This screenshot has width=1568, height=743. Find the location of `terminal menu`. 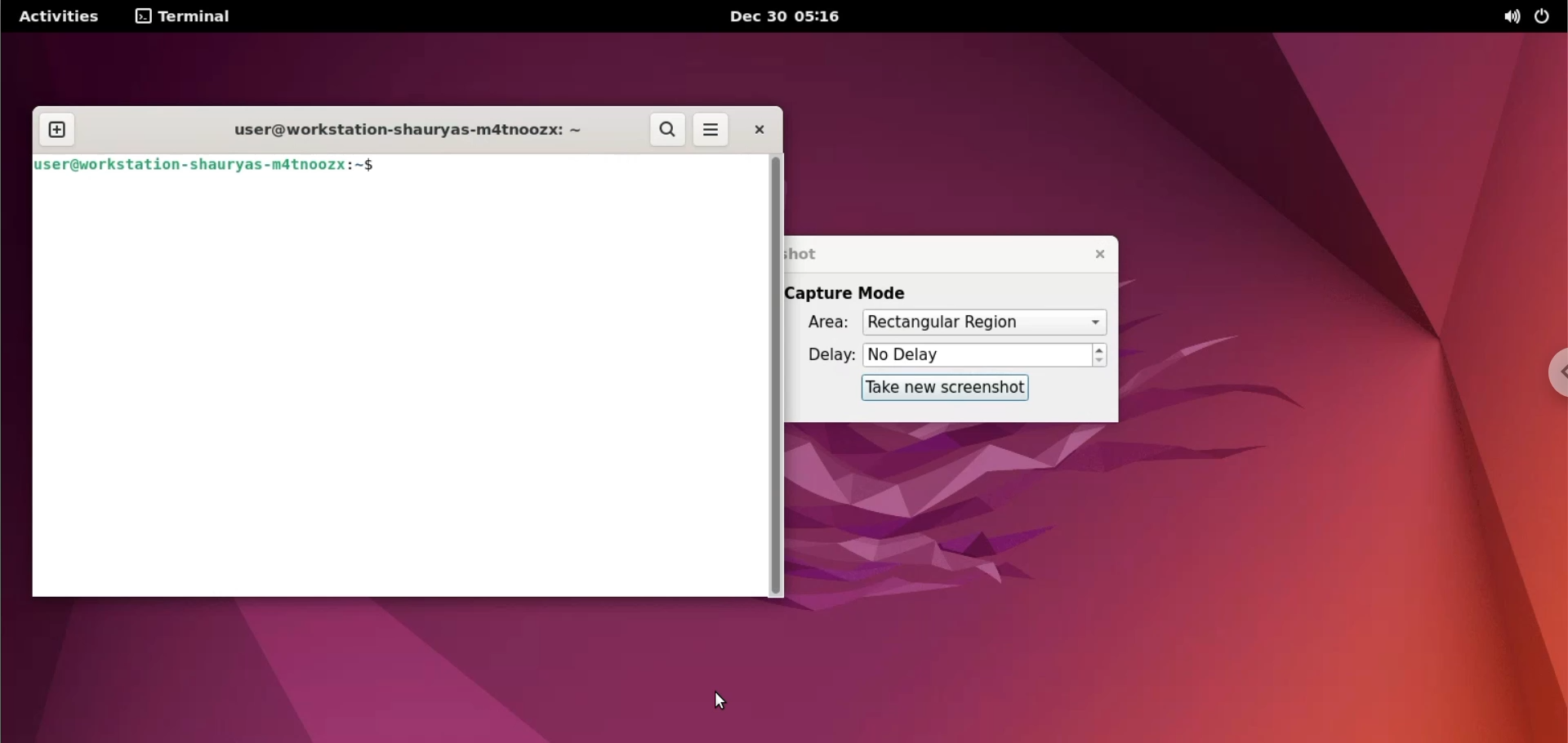

terminal menu is located at coordinates (185, 17).